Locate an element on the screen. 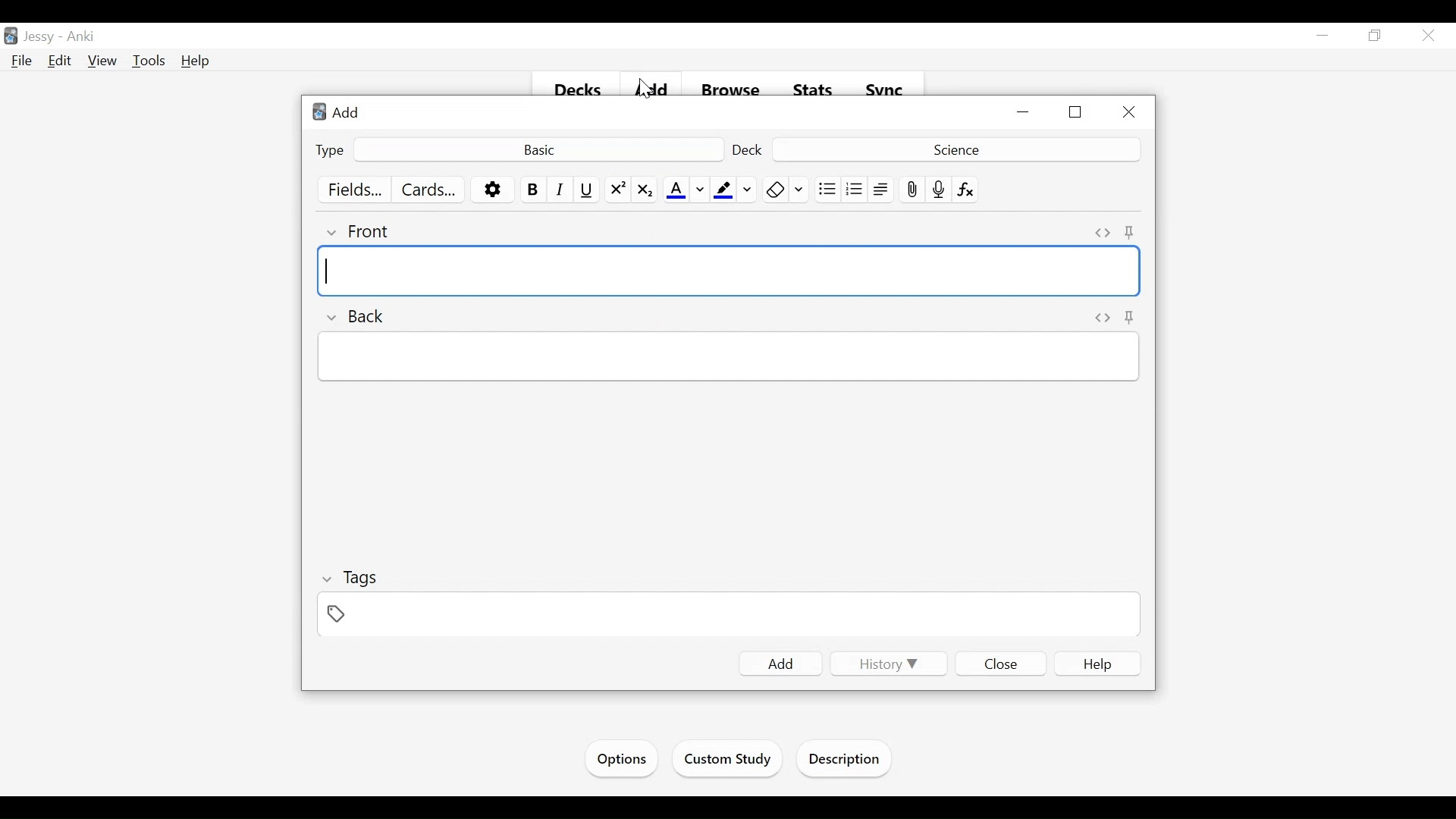 The width and height of the screenshot is (1456, 819). Bold is located at coordinates (532, 190).